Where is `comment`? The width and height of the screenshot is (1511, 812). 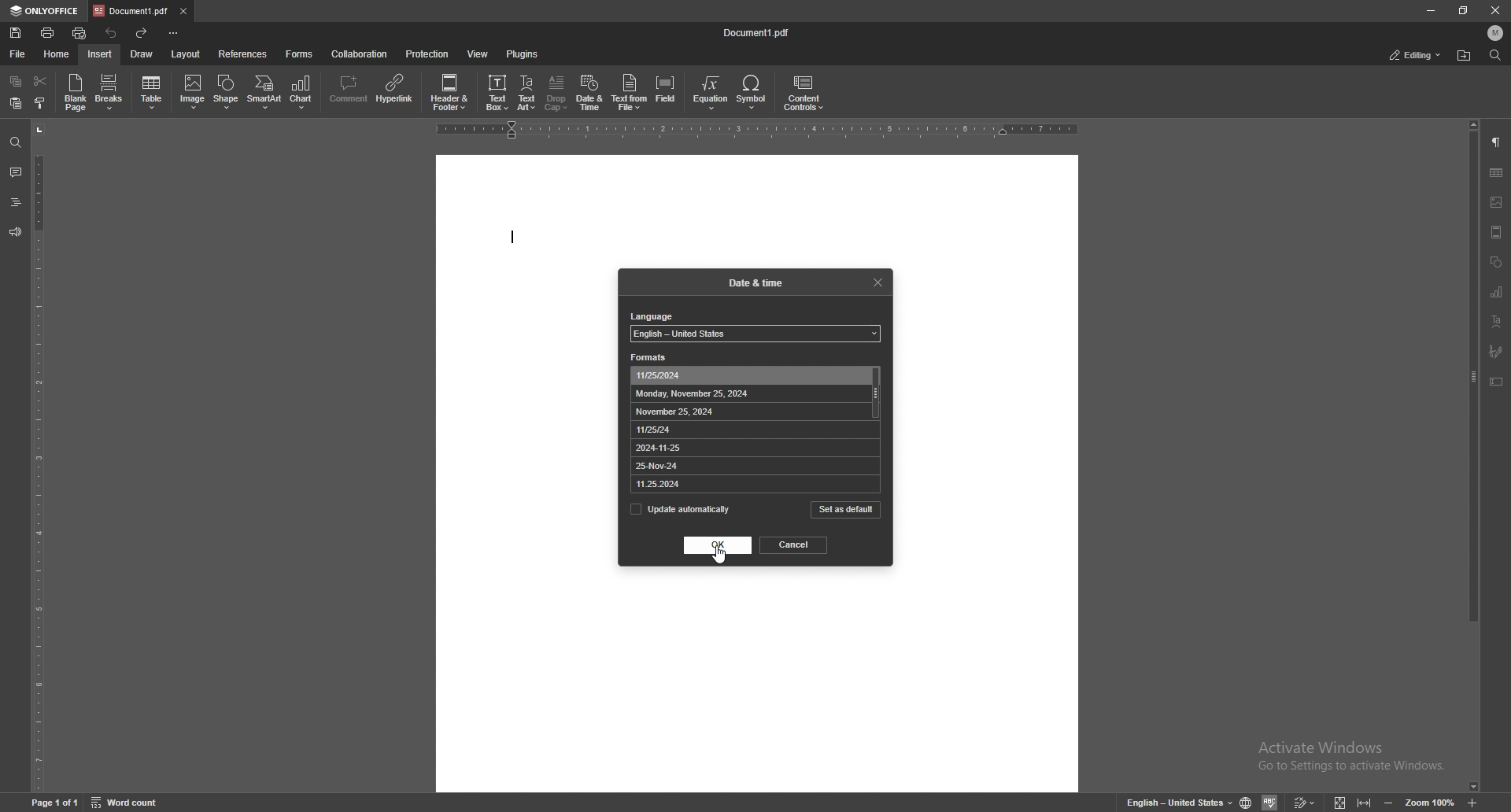 comment is located at coordinates (15, 172).